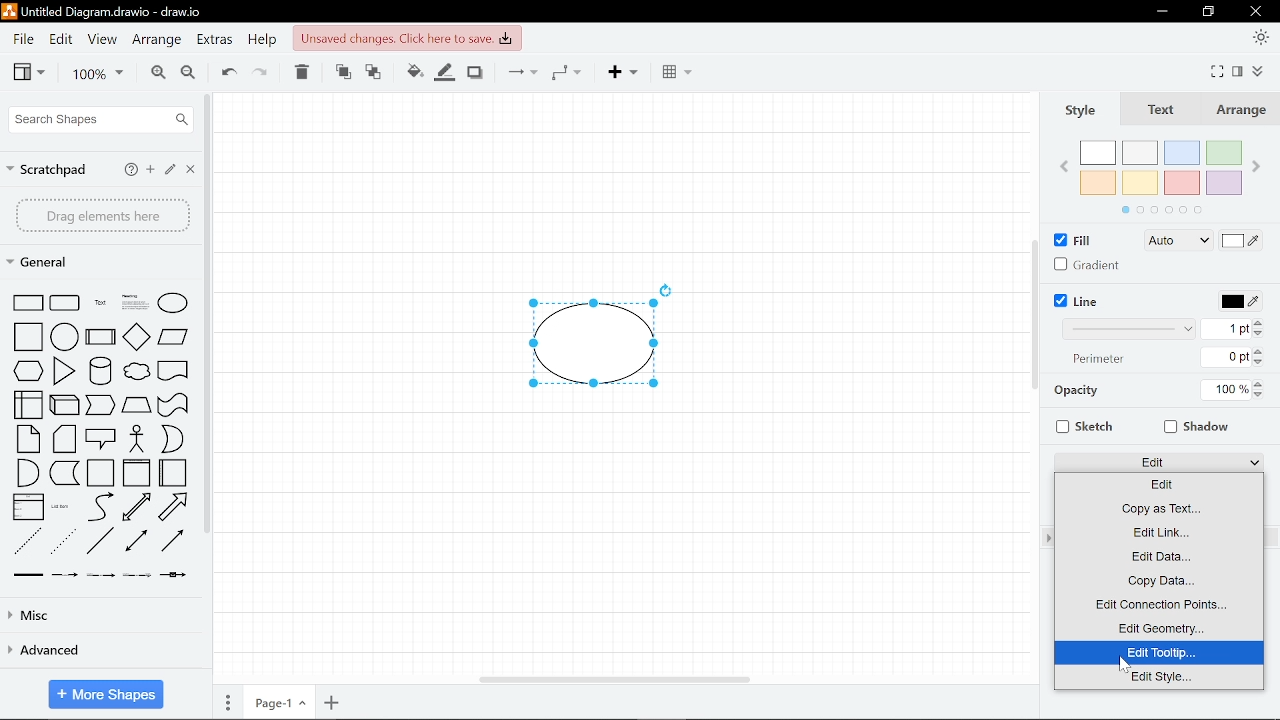 This screenshot has height=720, width=1280. Describe the element at coordinates (342, 72) in the screenshot. I see `To front` at that location.